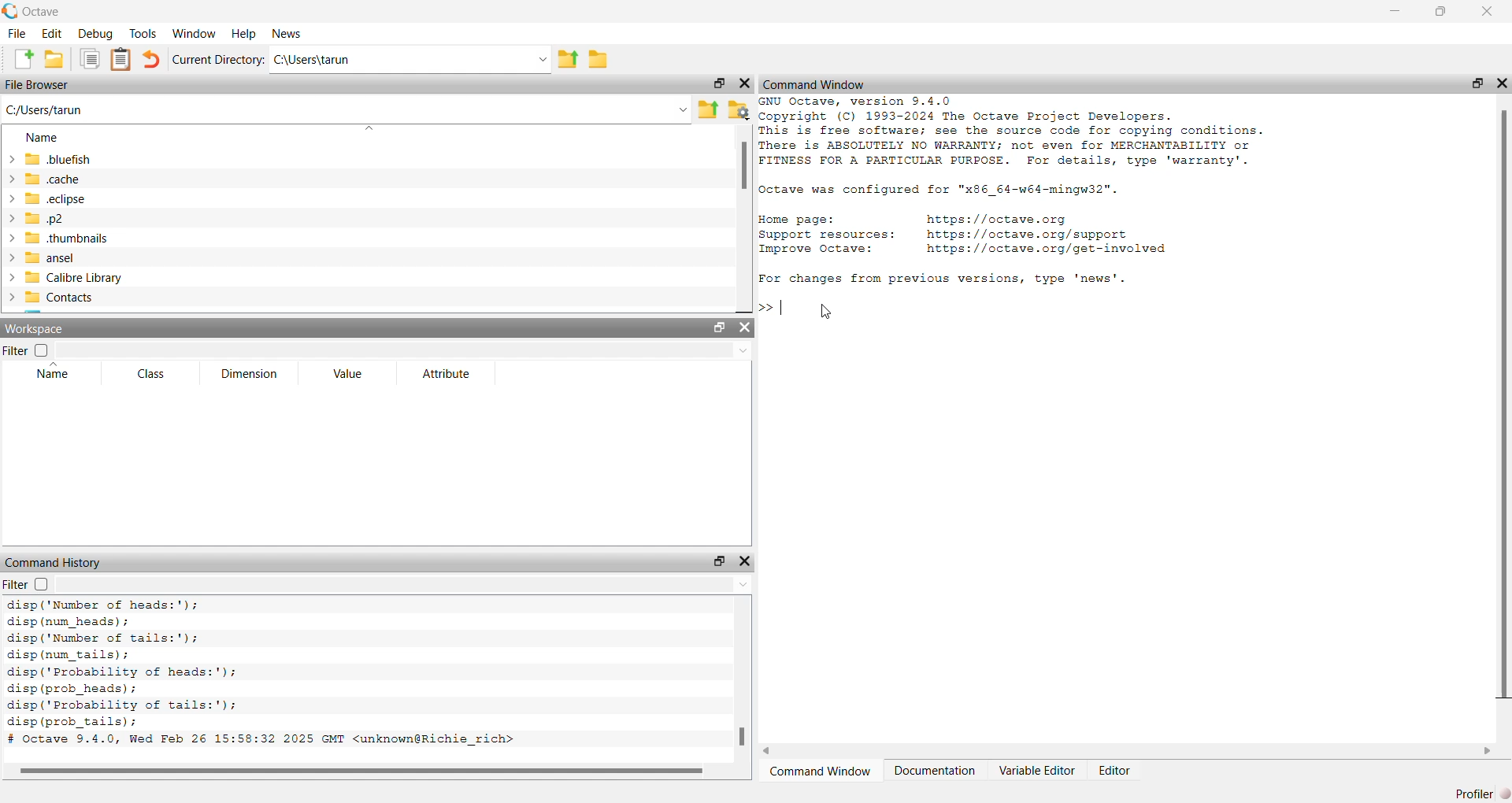 The image size is (1512, 803). Describe the element at coordinates (37, 84) in the screenshot. I see `File Browser` at that location.